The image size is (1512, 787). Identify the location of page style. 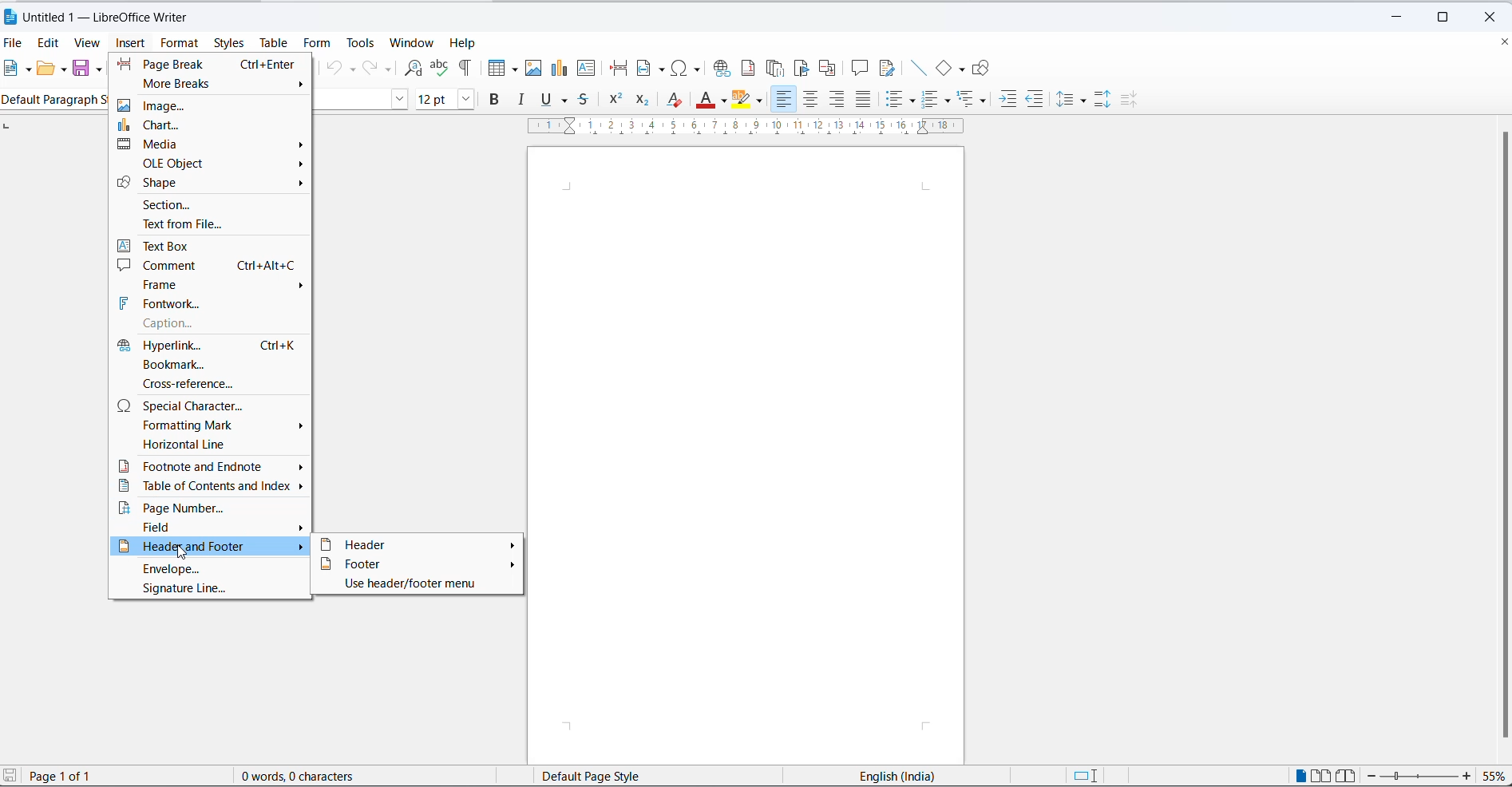
(610, 775).